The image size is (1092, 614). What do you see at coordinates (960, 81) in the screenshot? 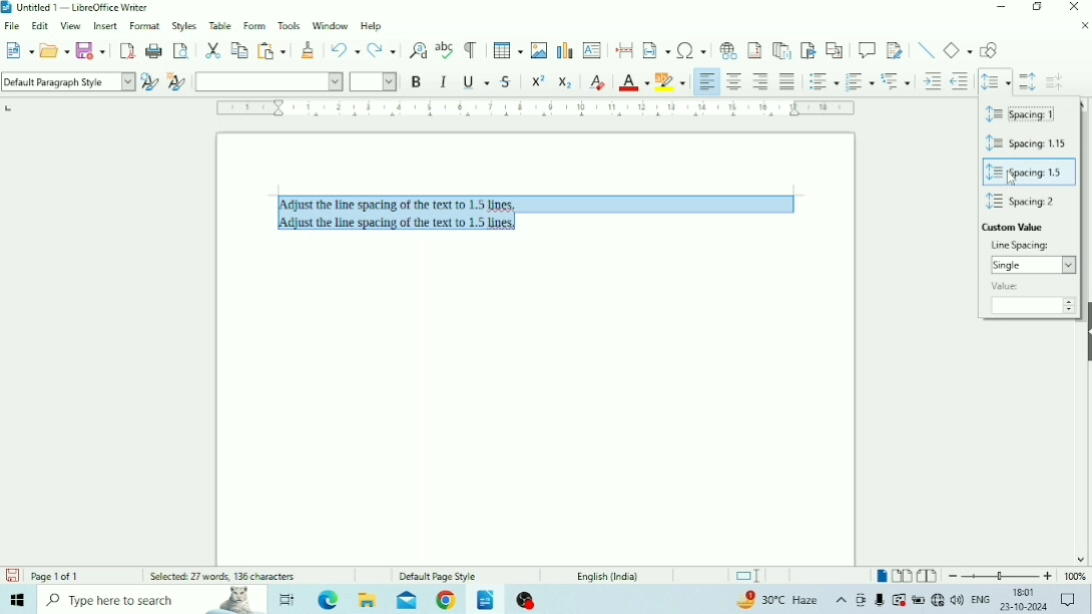
I see `Decrease Indent` at bounding box center [960, 81].